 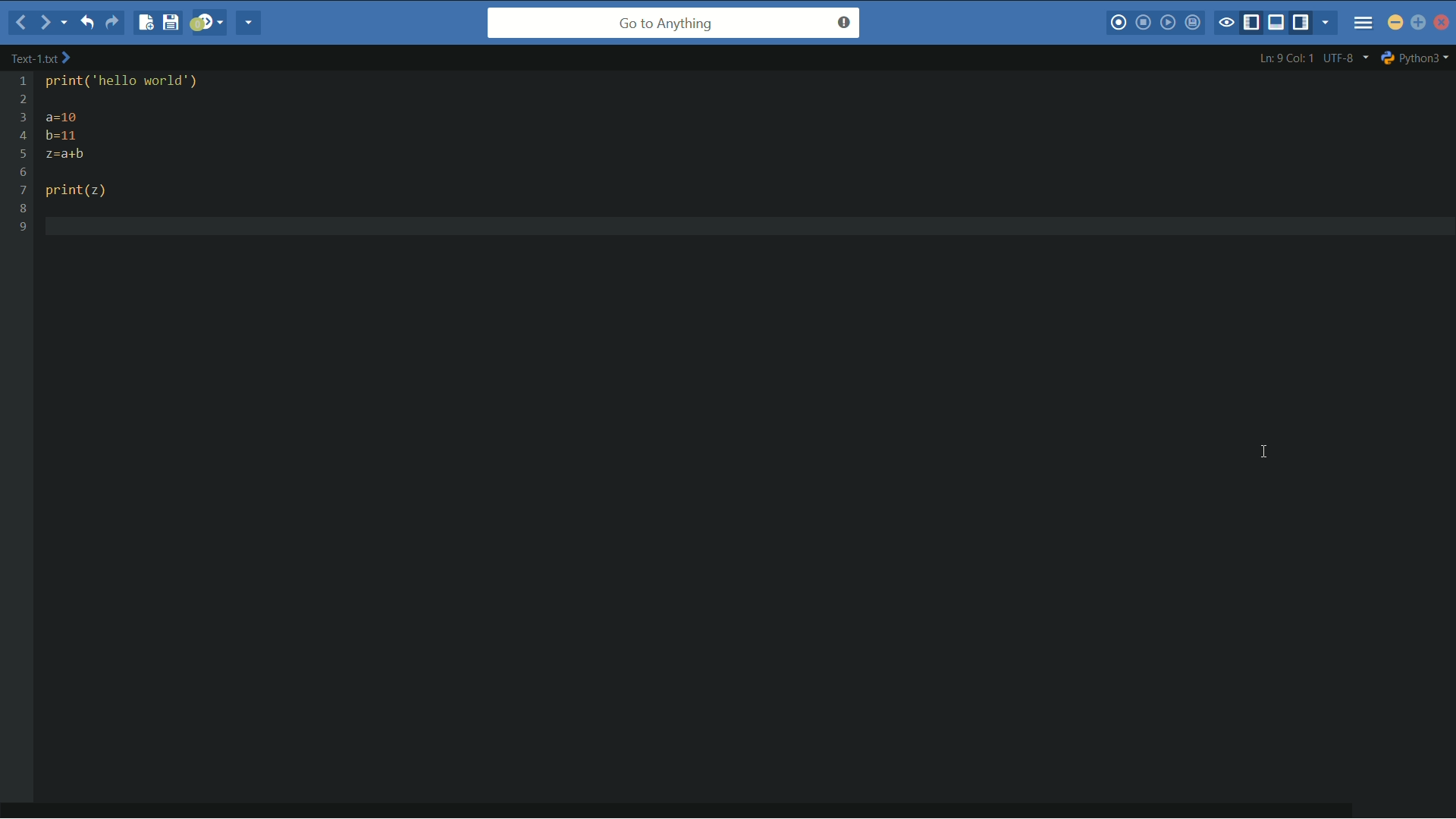 What do you see at coordinates (17, 24) in the screenshot?
I see `back` at bounding box center [17, 24].